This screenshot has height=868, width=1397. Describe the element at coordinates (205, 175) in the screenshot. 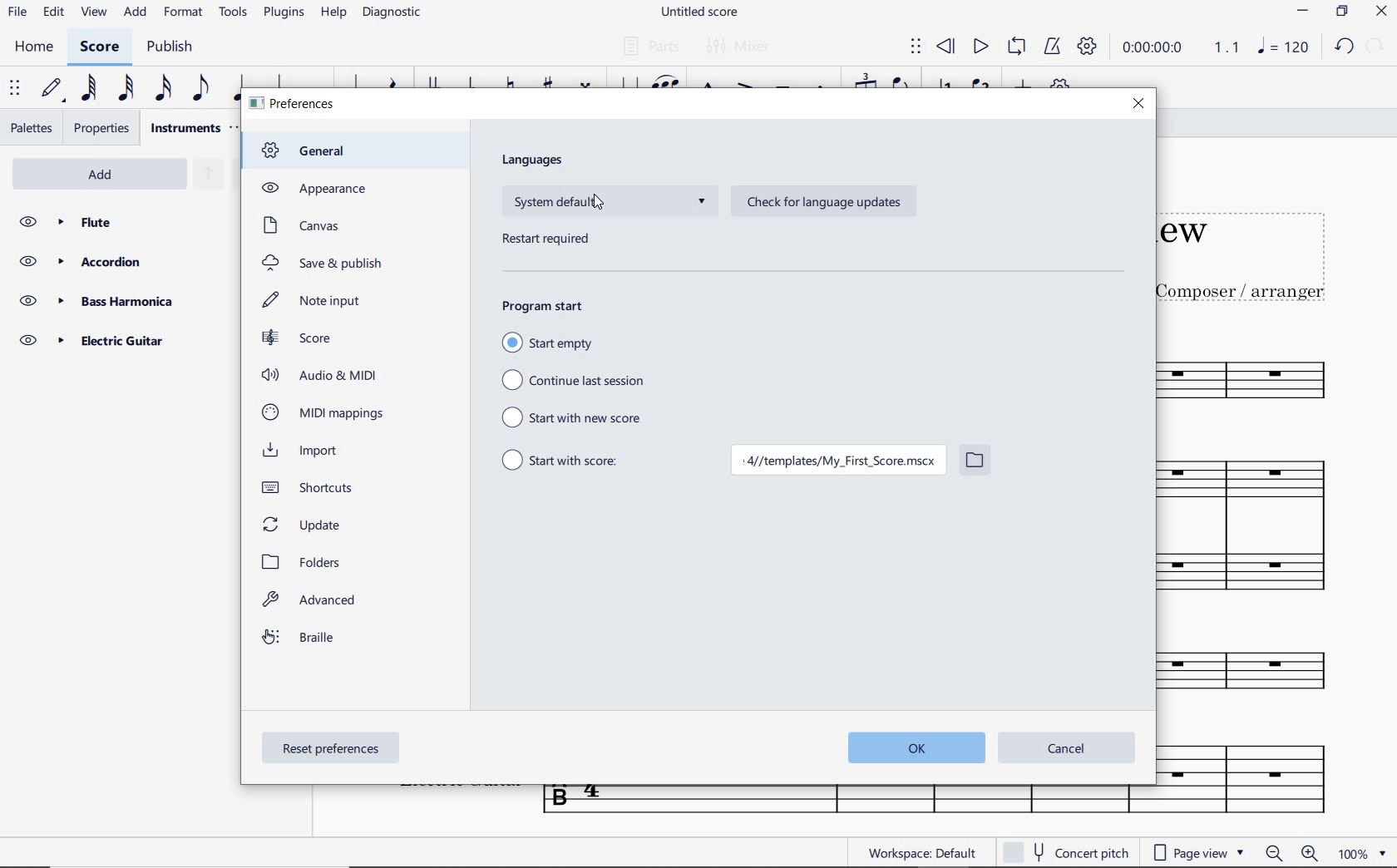

I see `MOVE SELECTED STAVES UP` at that location.